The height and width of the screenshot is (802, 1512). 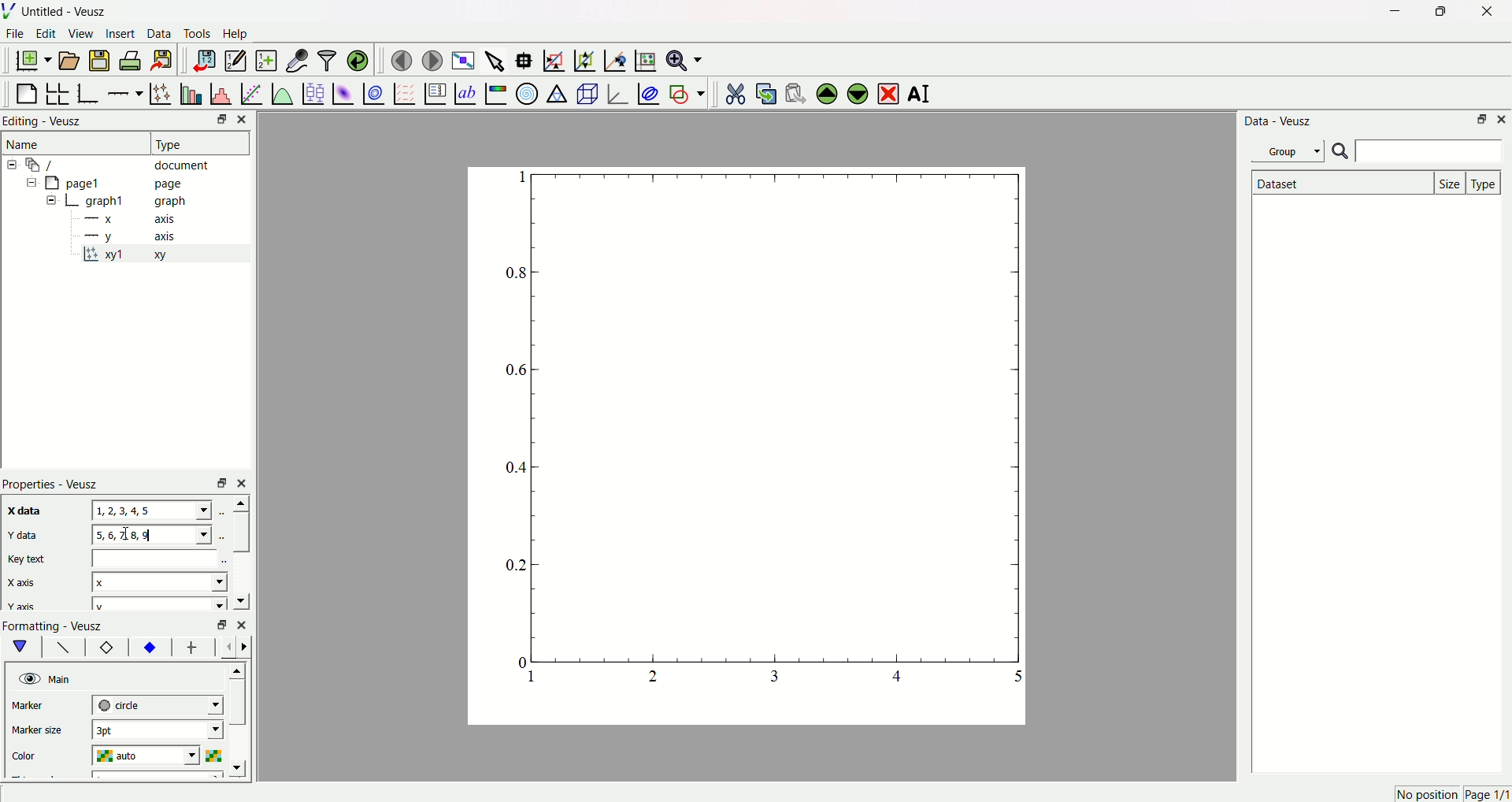 What do you see at coordinates (125, 164) in the screenshot?
I see `“document` at bounding box center [125, 164].